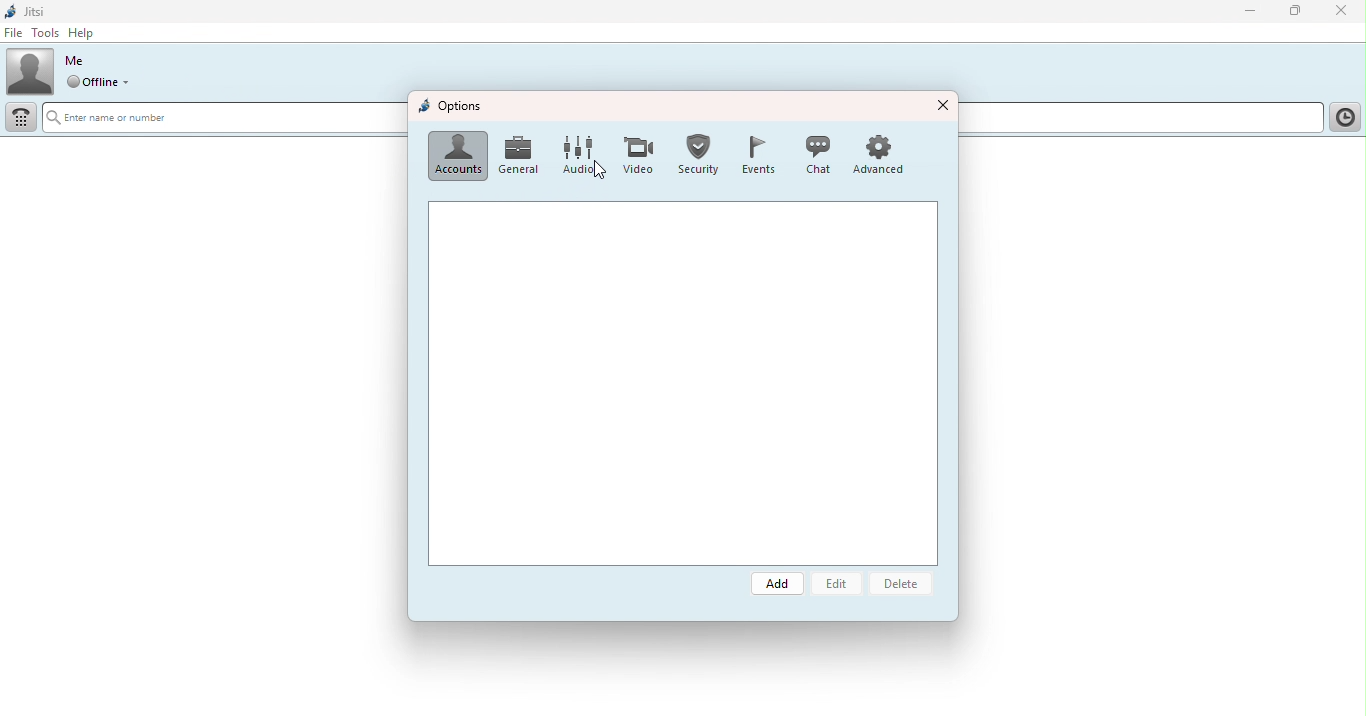  Describe the element at coordinates (1298, 13) in the screenshot. I see `Maximize` at that location.